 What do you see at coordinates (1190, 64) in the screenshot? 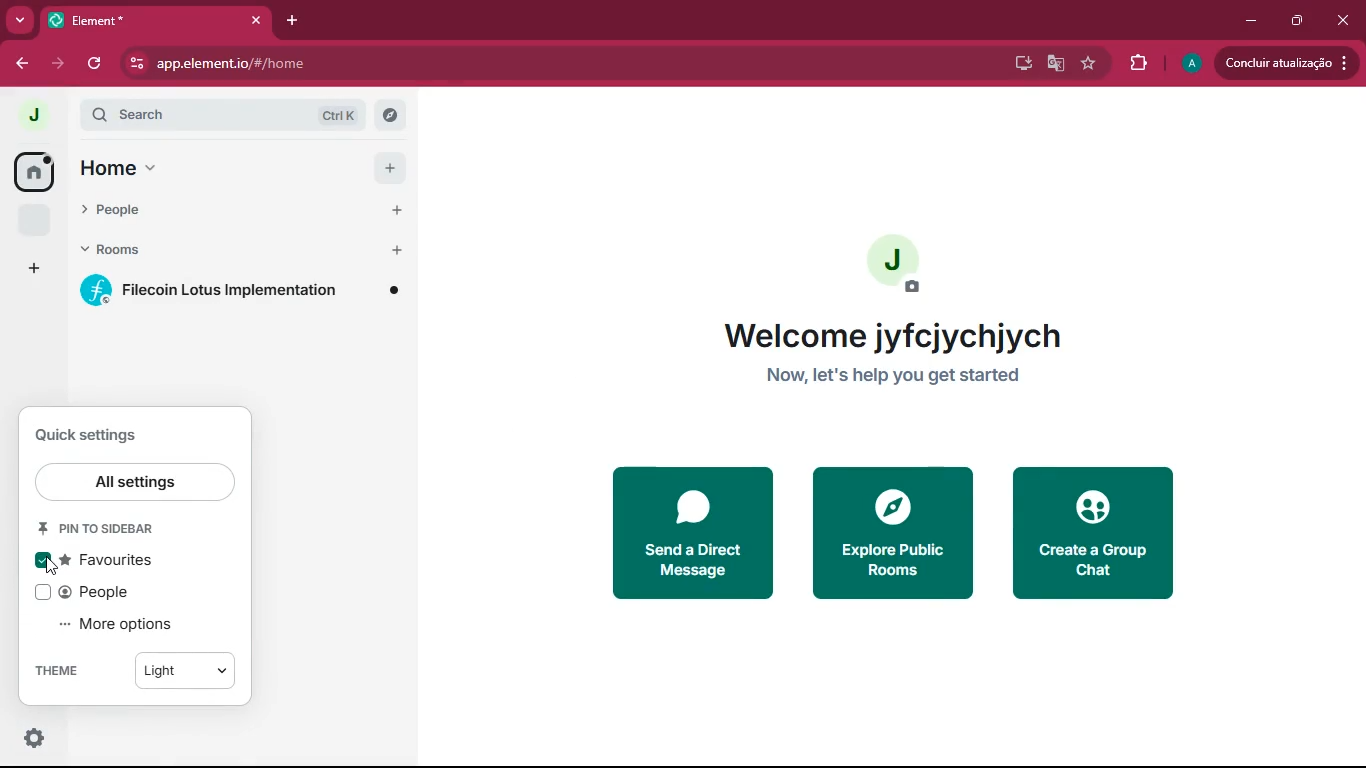
I see `profile` at bounding box center [1190, 64].